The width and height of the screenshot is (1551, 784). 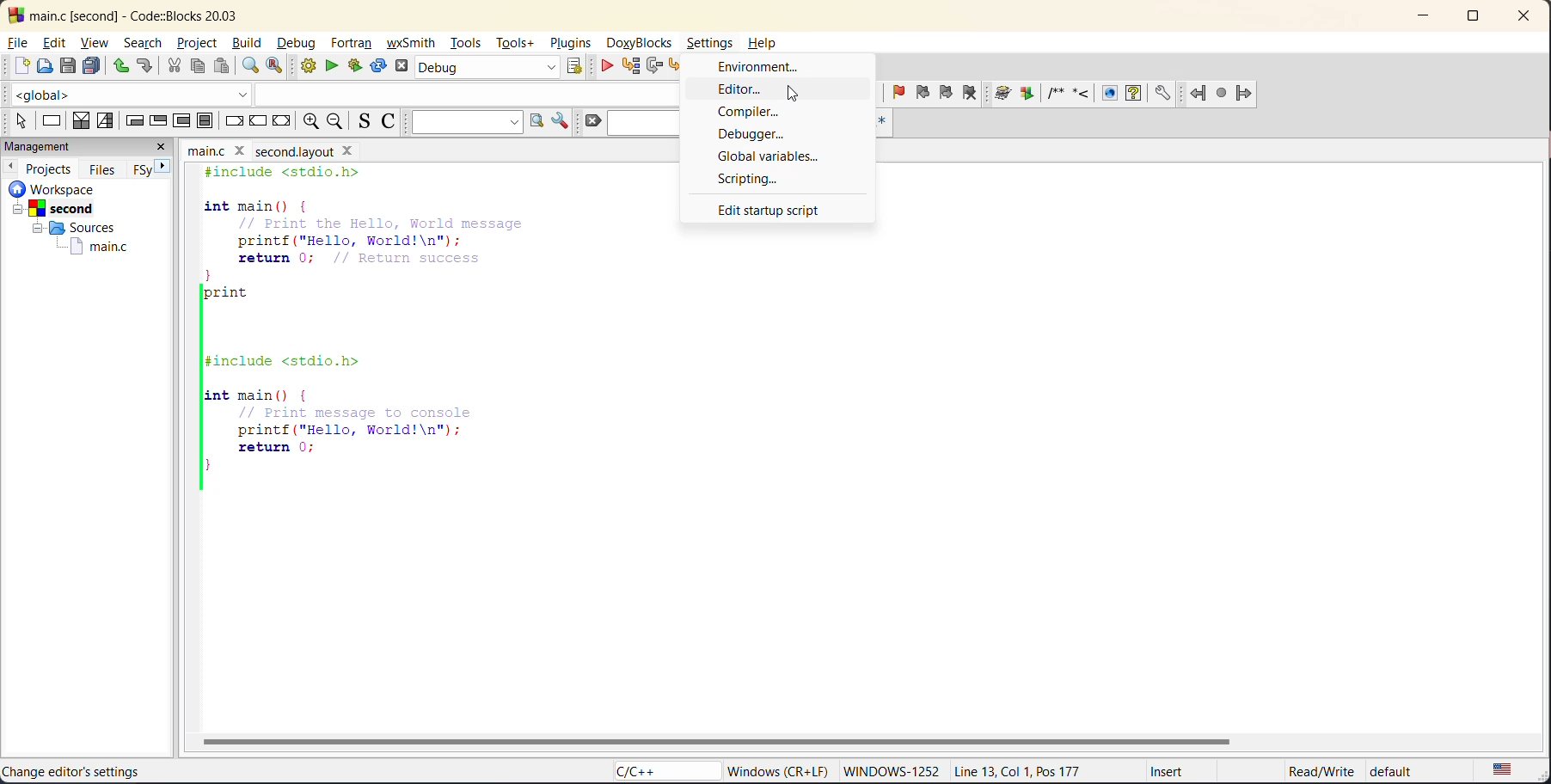 What do you see at coordinates (57, 45) in the screenshot?
I see `edit` at bounding box center [57, 45].